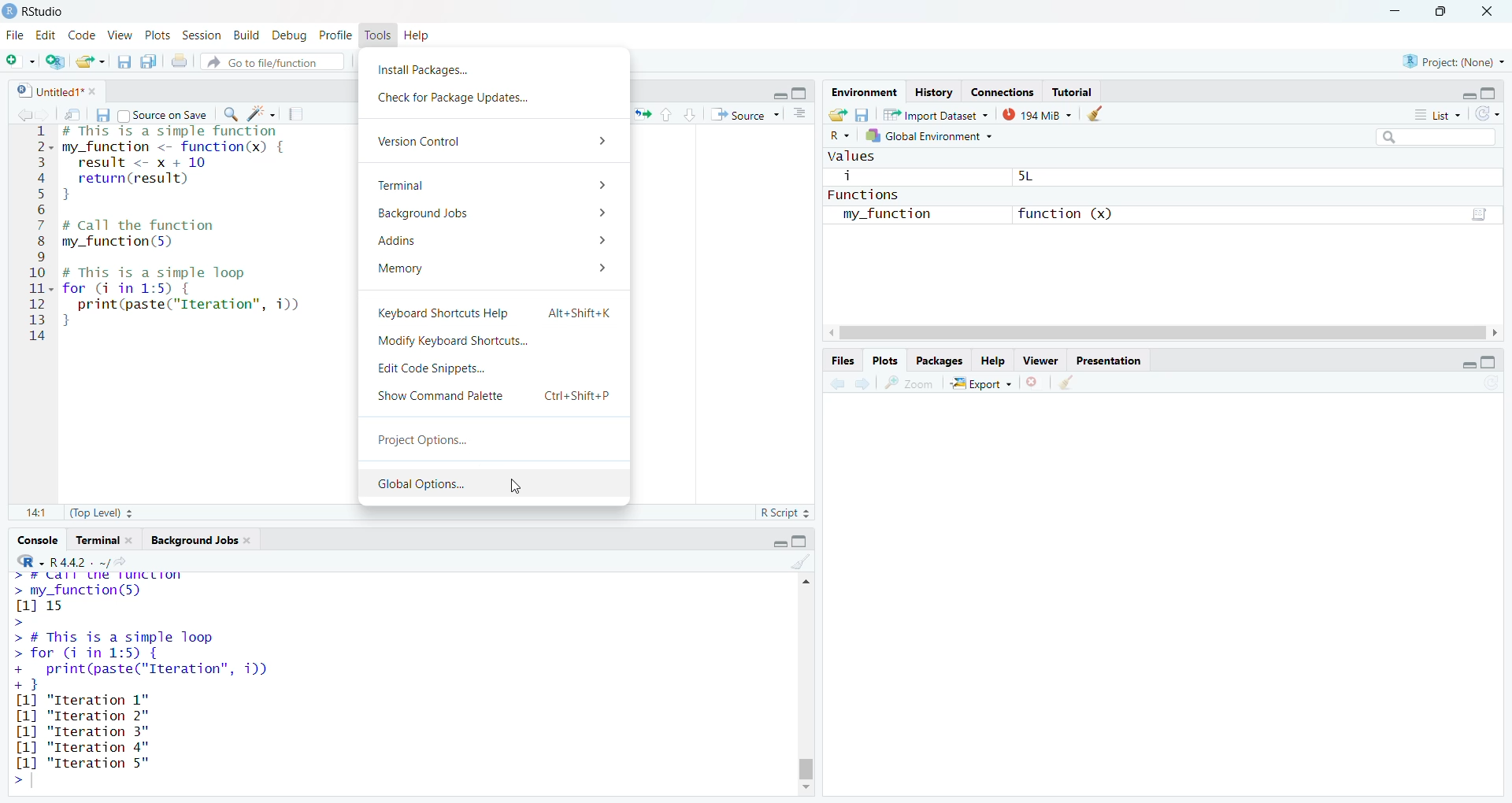  What do you see at coordinates (516, 490) in the screenshot?
I see `cursor` at bounding box center [516, 490].